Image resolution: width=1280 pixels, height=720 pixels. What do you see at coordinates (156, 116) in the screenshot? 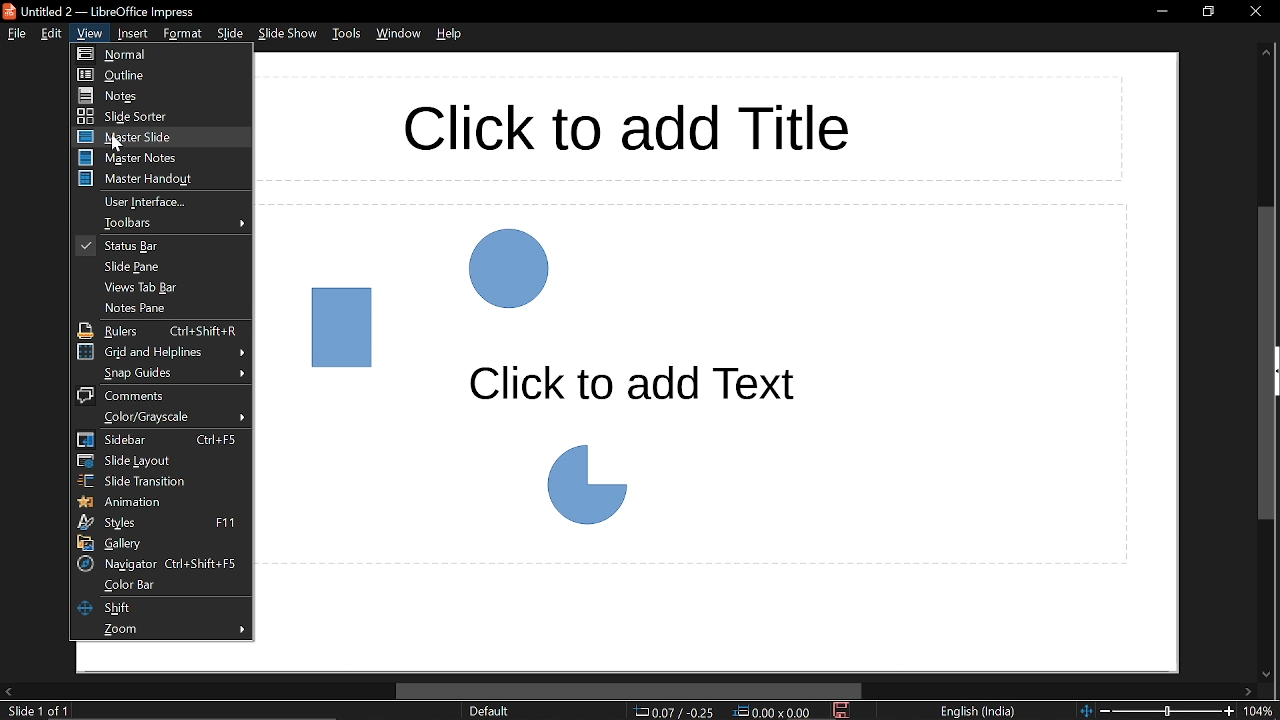
I see `Slide sorter` at bounding box center [156, 116].